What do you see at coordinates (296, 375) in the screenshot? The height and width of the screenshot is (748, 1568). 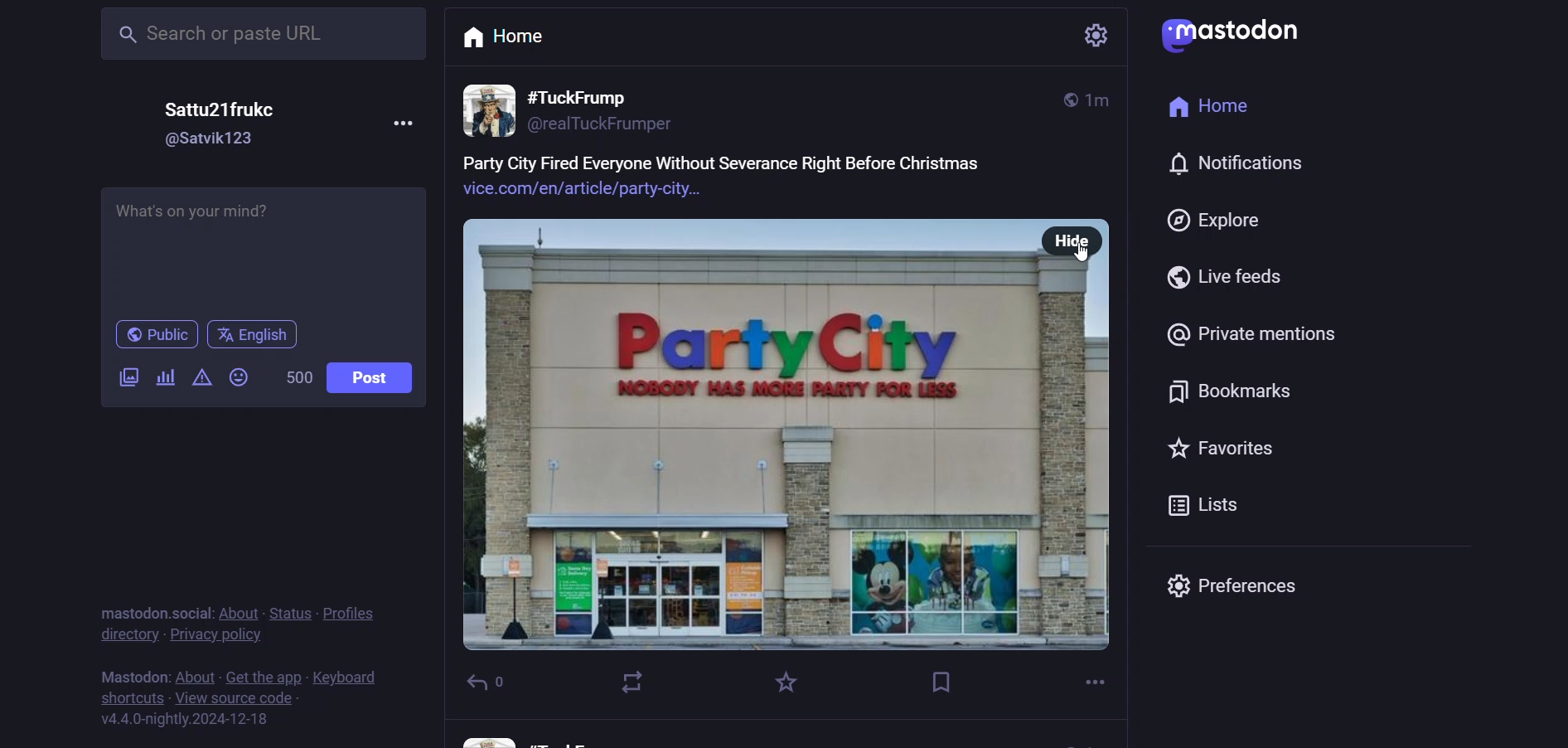 I see `word limit` at bounding box center [296, 375].